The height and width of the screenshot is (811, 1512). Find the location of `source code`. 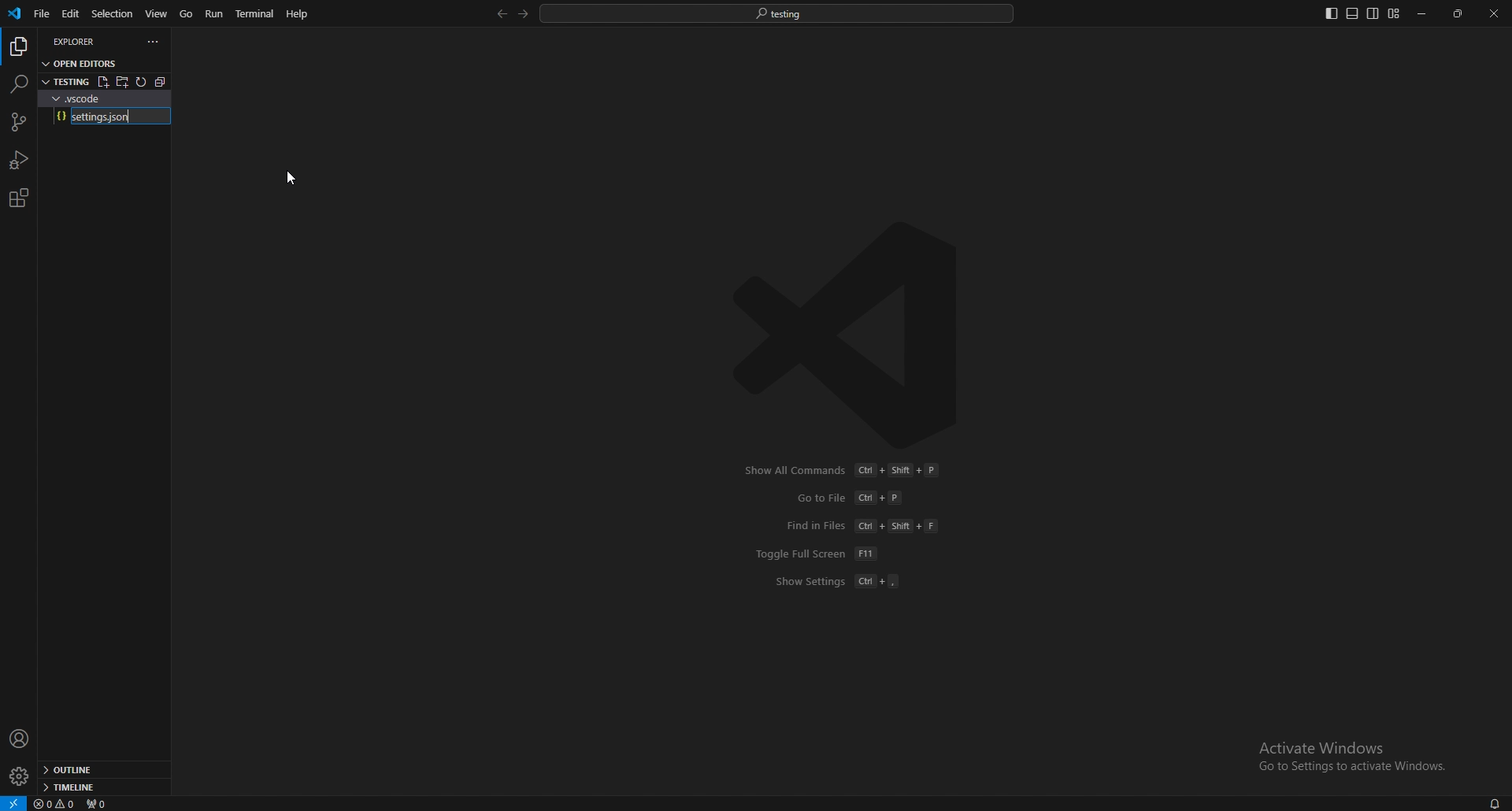

source code is located at coordinates (17, 123).